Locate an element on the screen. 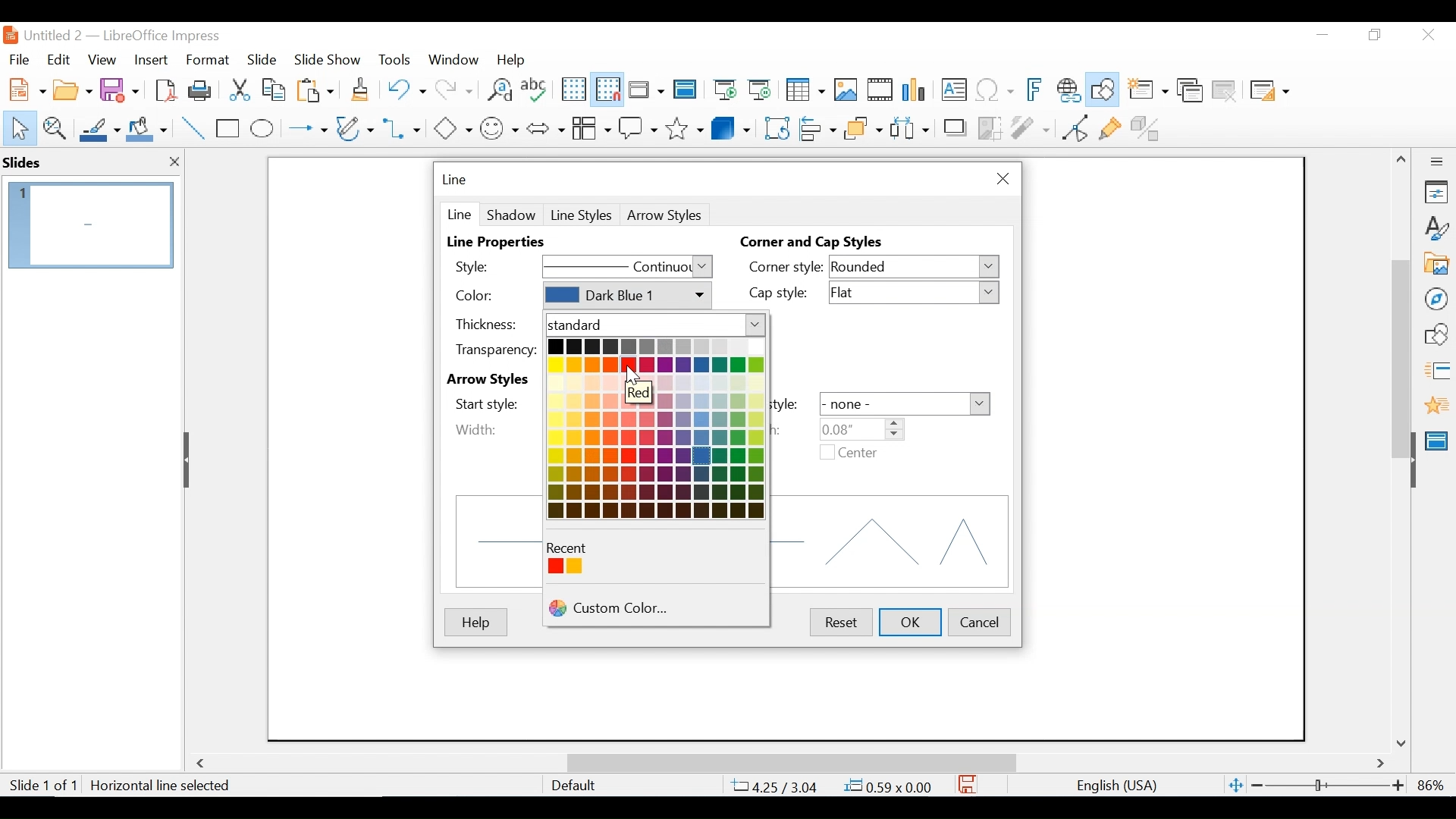 The image size is (1456, 819). Arrange is located at coordinates (861, 127).